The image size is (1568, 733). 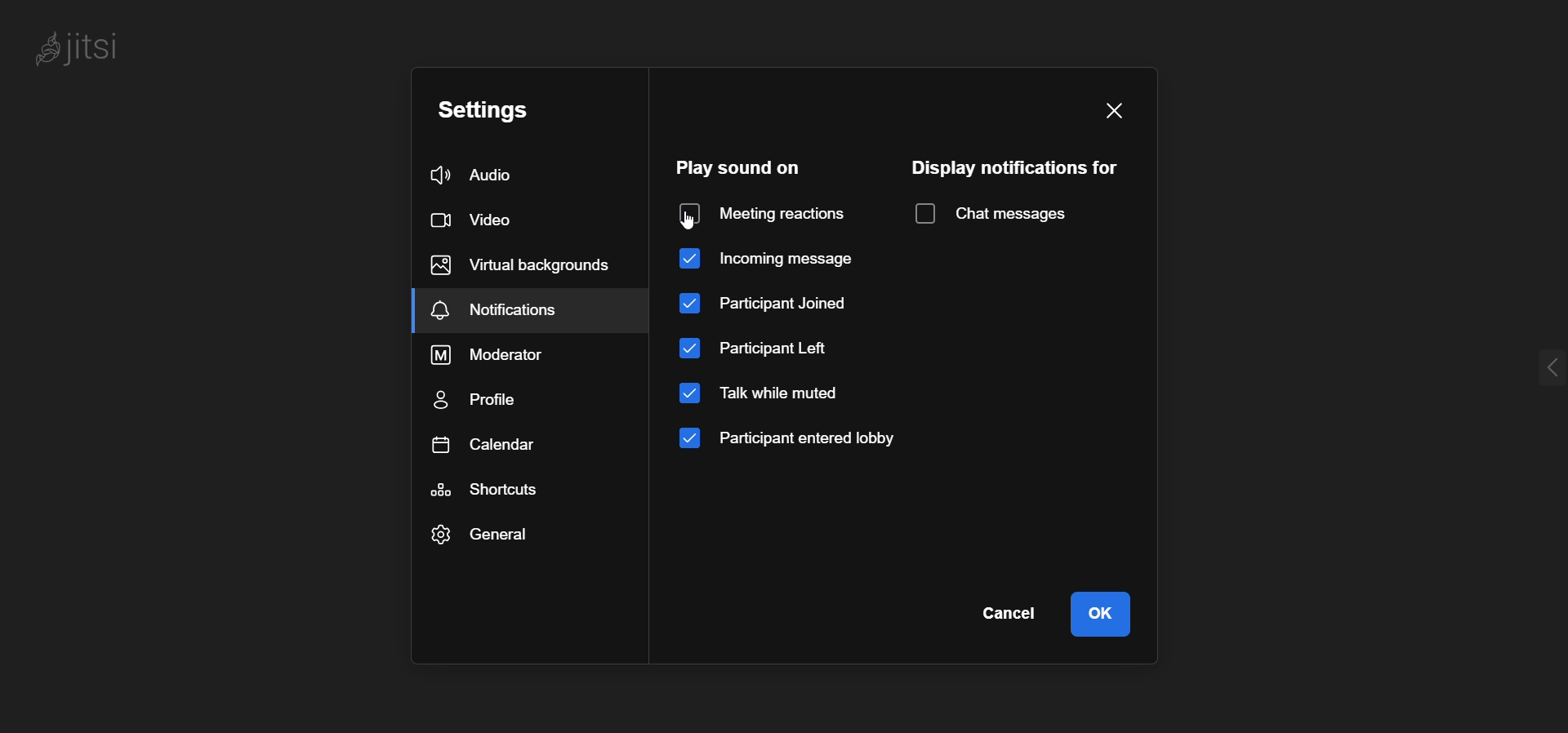 I want to click on close window, so click(x=1112, y=111).